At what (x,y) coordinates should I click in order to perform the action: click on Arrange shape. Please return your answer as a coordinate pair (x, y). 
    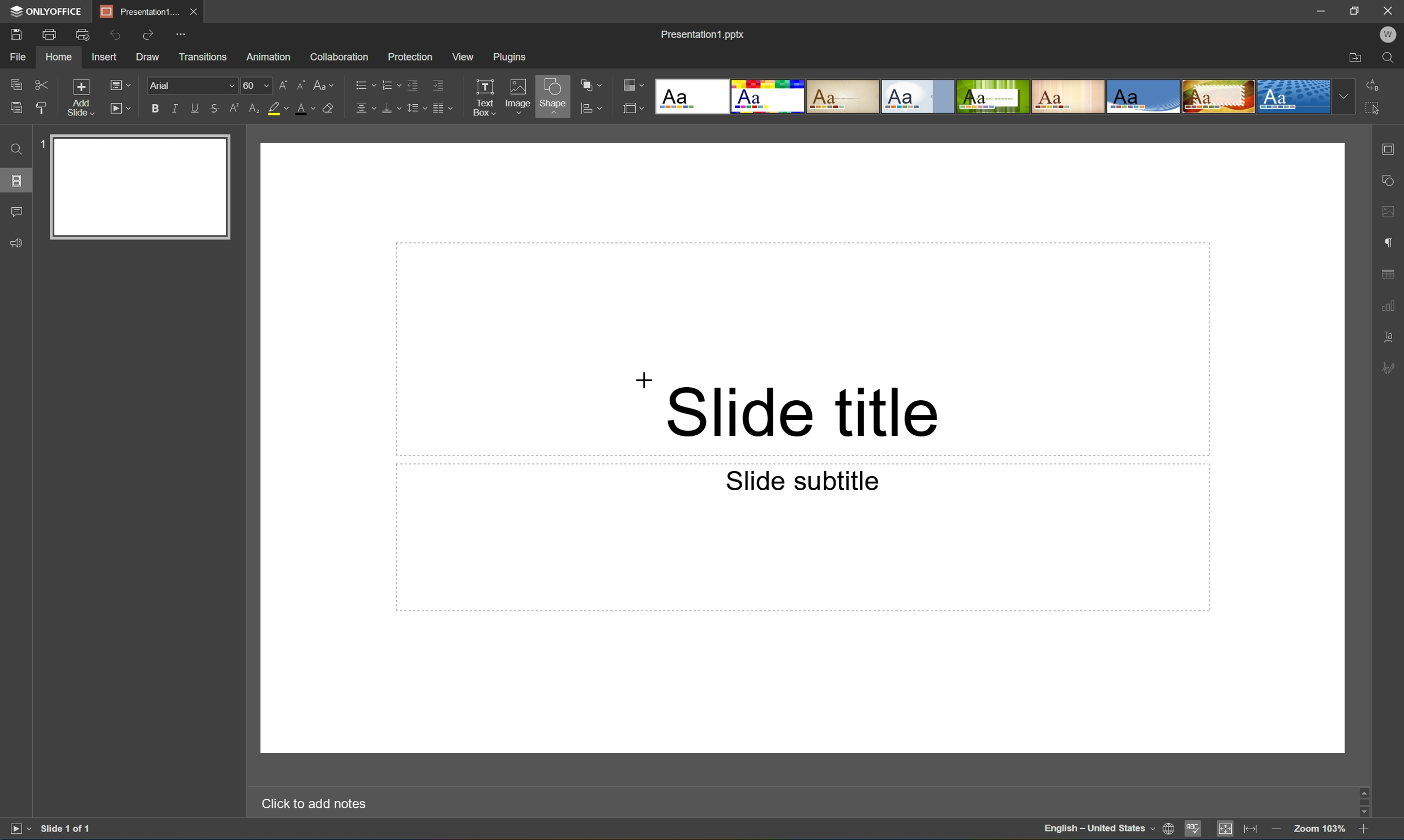
    Looking at the image, I should click on (590, 86).